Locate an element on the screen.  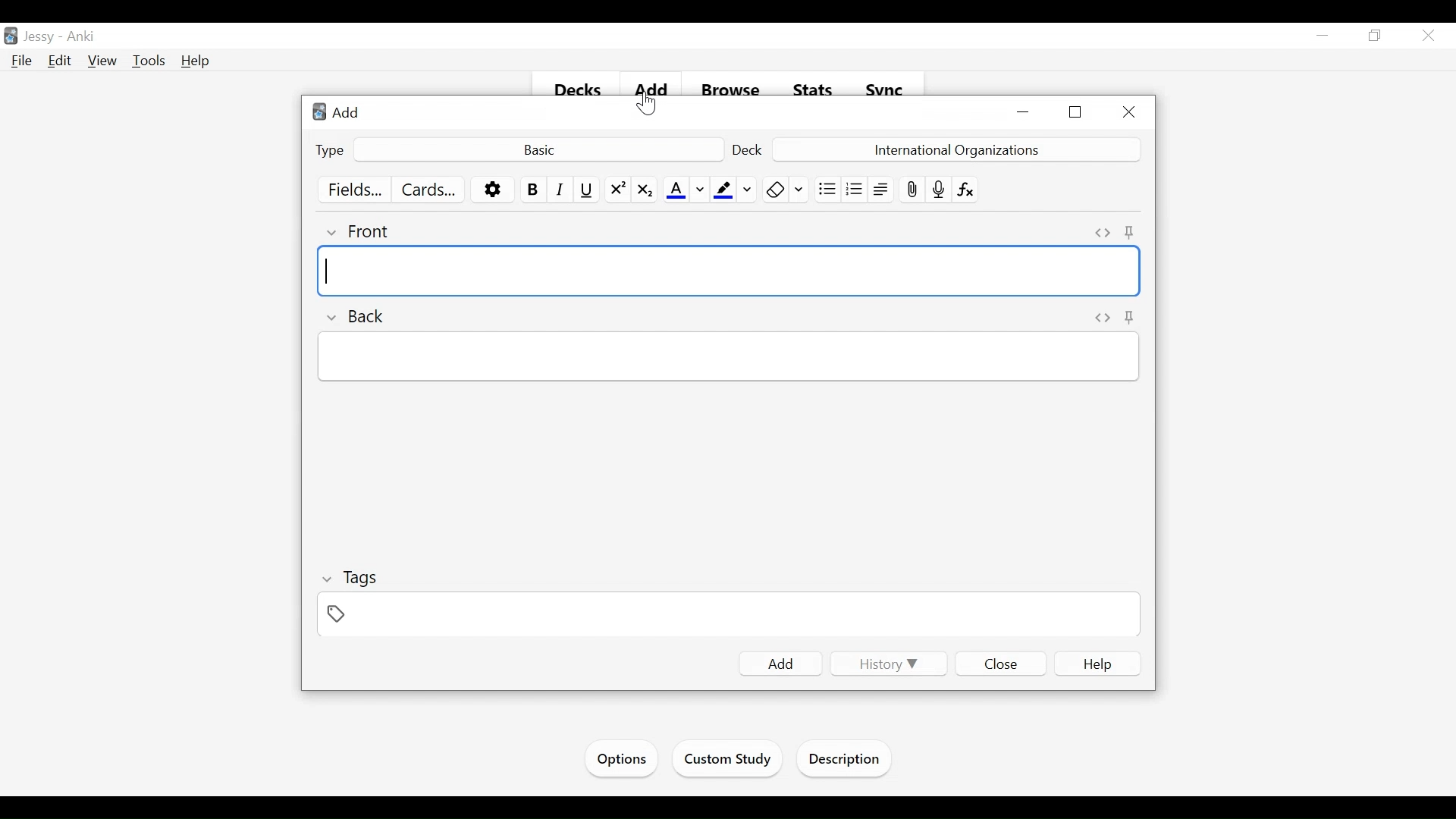
Custom Study is located at coordinates (726, 761).